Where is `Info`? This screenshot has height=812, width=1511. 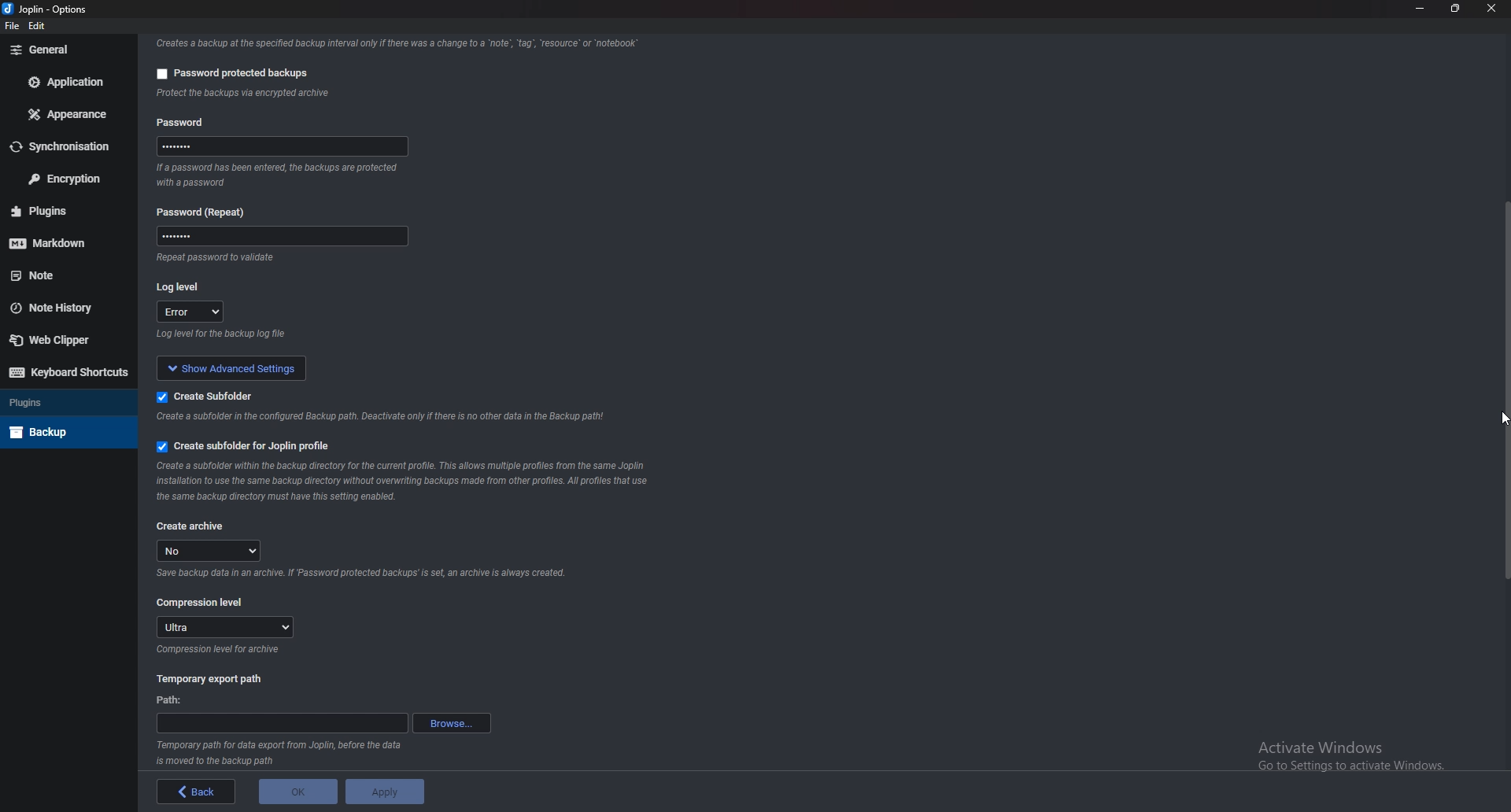 Info is located at coordinates (360, 576).